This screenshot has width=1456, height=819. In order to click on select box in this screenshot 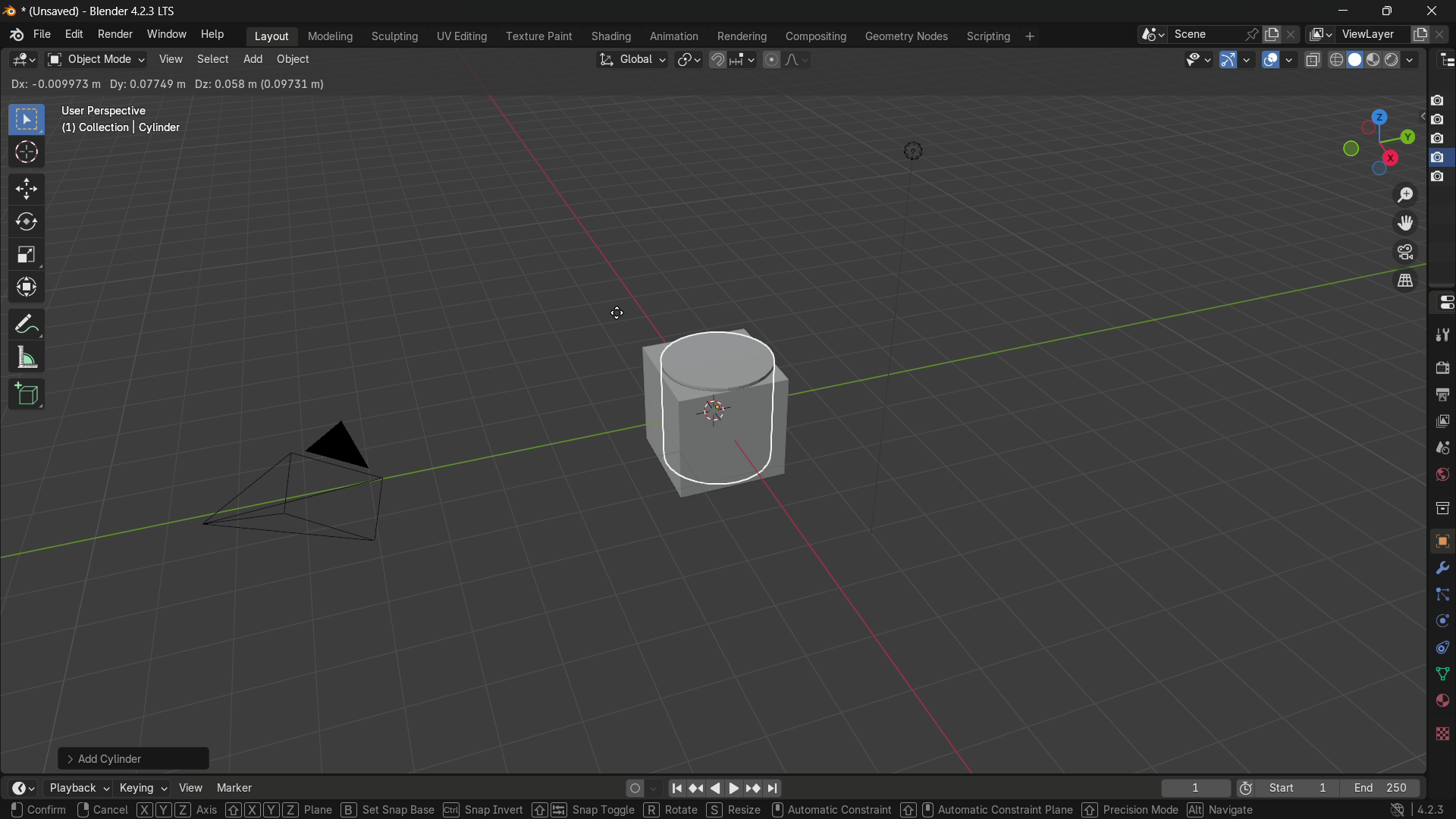, I will do `click(27, 121)`.